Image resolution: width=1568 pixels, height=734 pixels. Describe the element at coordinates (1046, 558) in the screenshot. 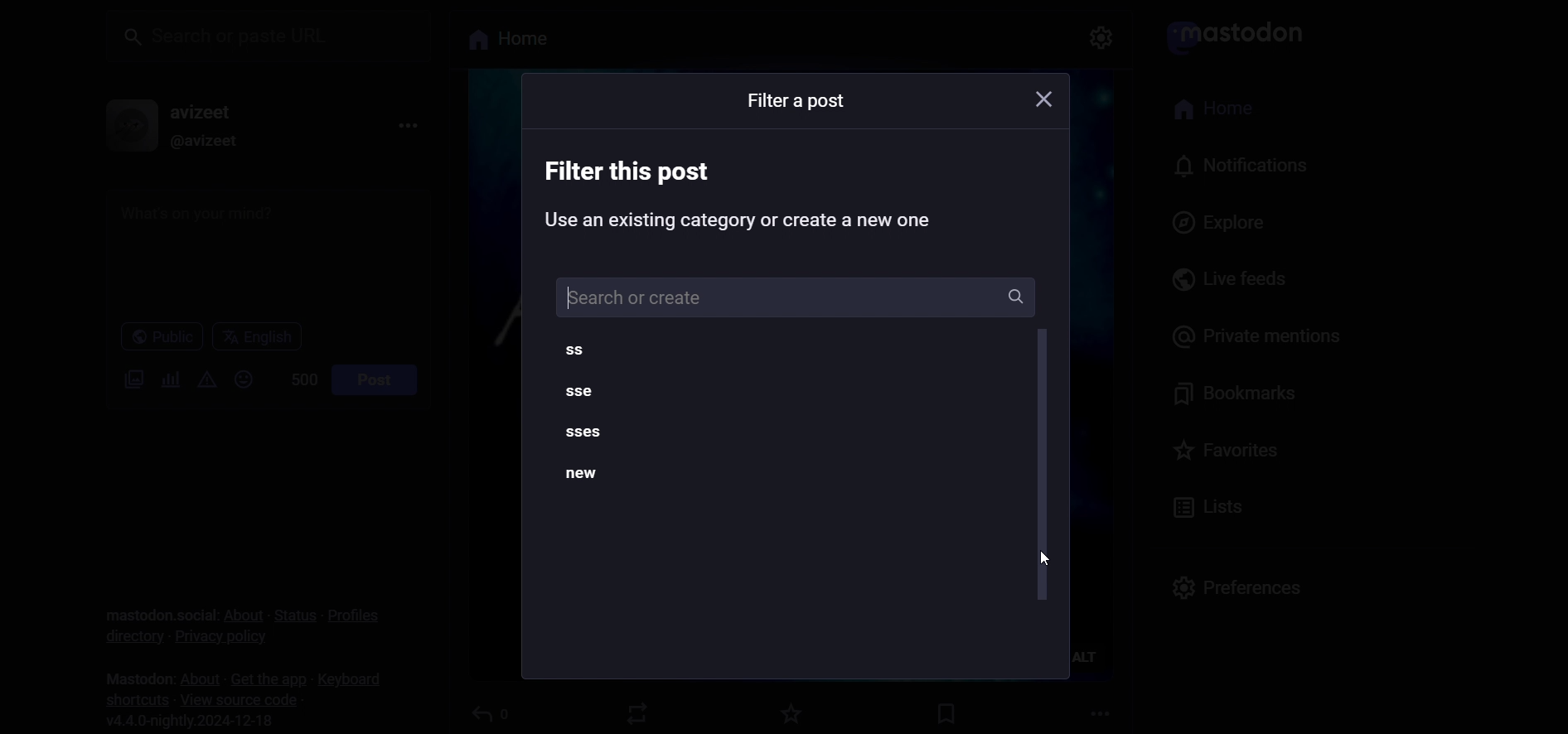

I see `Cursor` at that location.